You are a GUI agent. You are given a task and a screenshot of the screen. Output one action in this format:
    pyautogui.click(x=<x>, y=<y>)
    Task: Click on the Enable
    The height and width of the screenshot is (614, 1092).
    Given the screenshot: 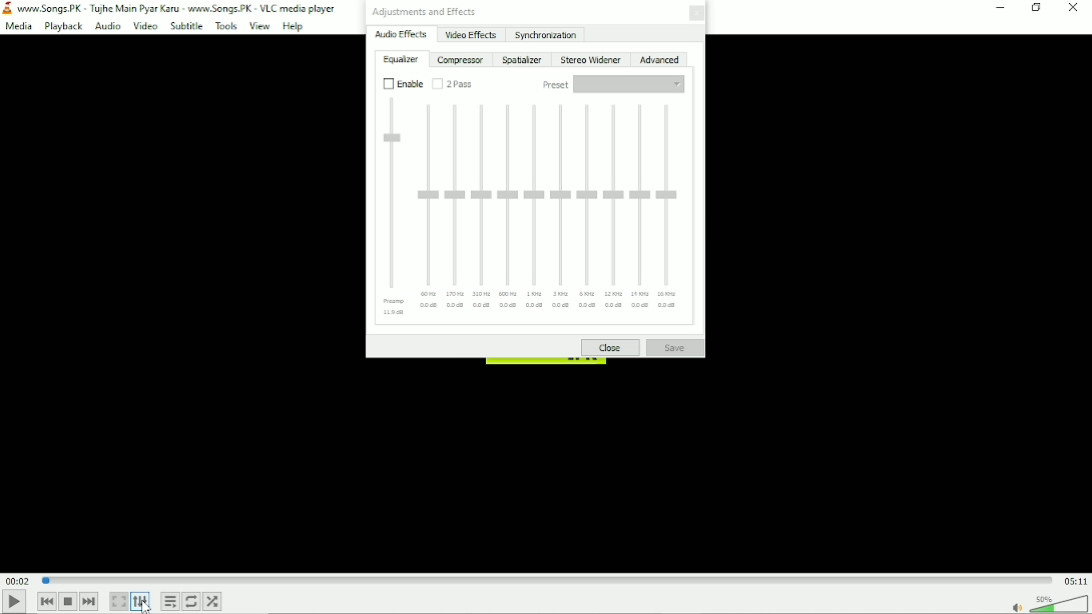 What is the action you would take?
    pyautogui.click(x=397, y=84)
    